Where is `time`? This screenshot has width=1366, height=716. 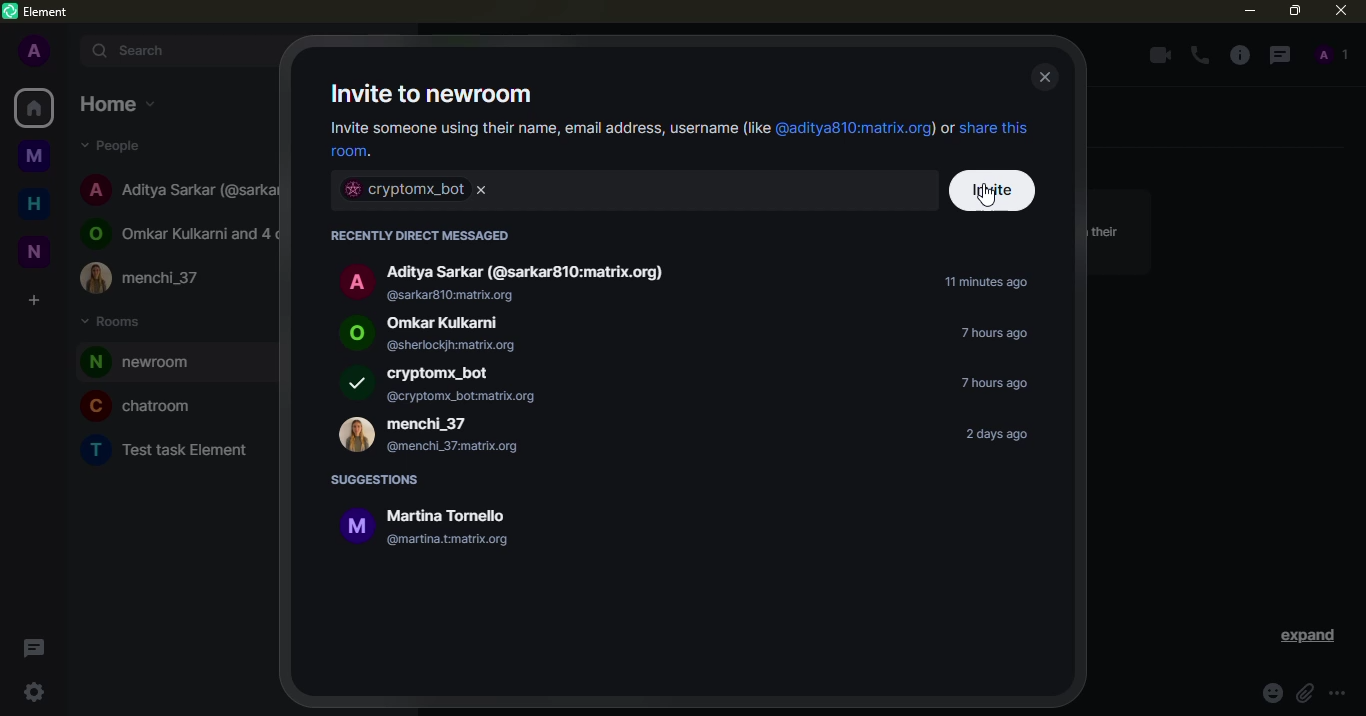
time is located at coordinates (986, 434).